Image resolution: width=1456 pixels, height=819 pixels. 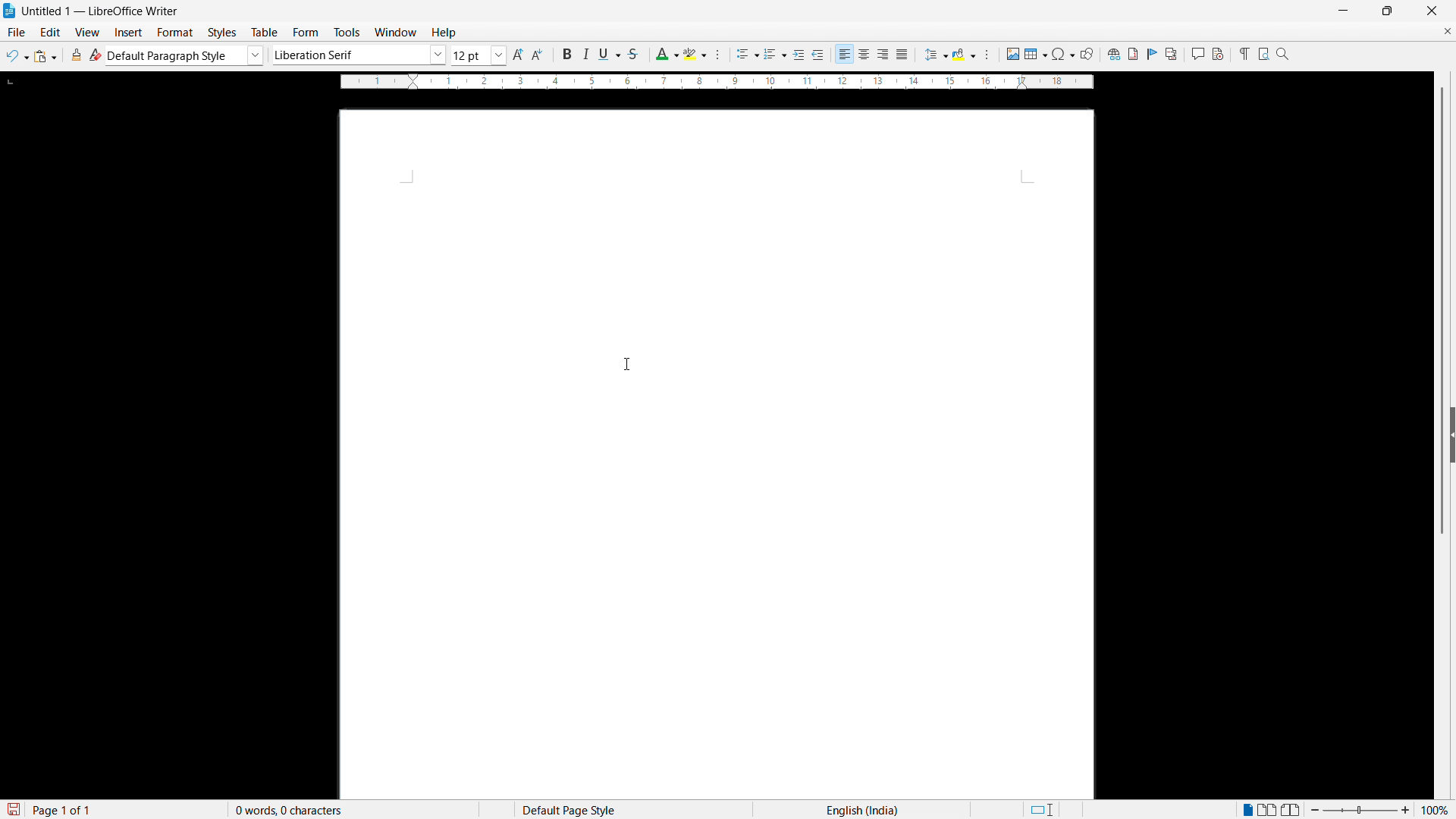 I want to click on Zoom slider , so click(x=1360, y=809).